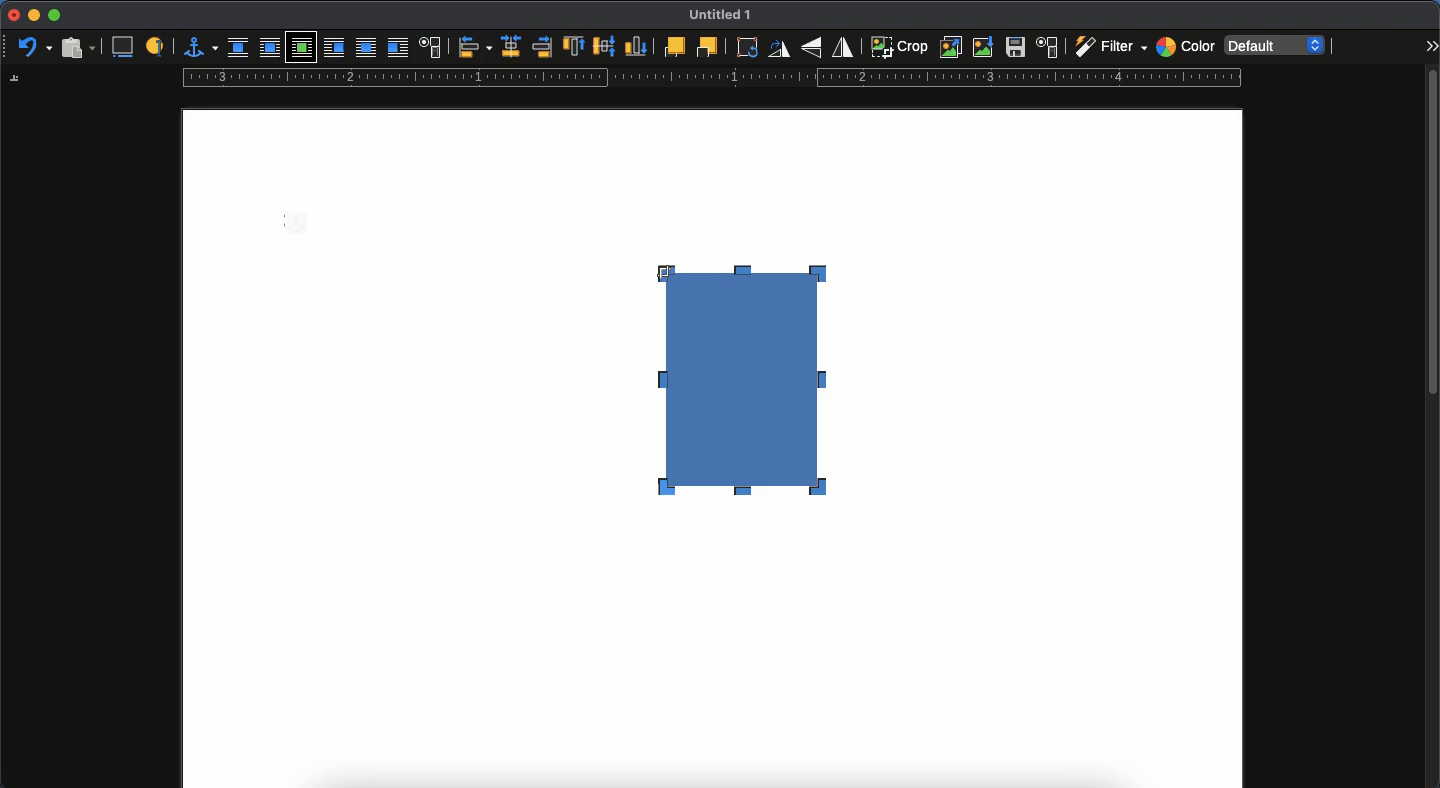 This screenshot has width=1440, height=788. Describe the element at coordinates (573, 48) in the screenshot. I see `top to anchor` at that location.